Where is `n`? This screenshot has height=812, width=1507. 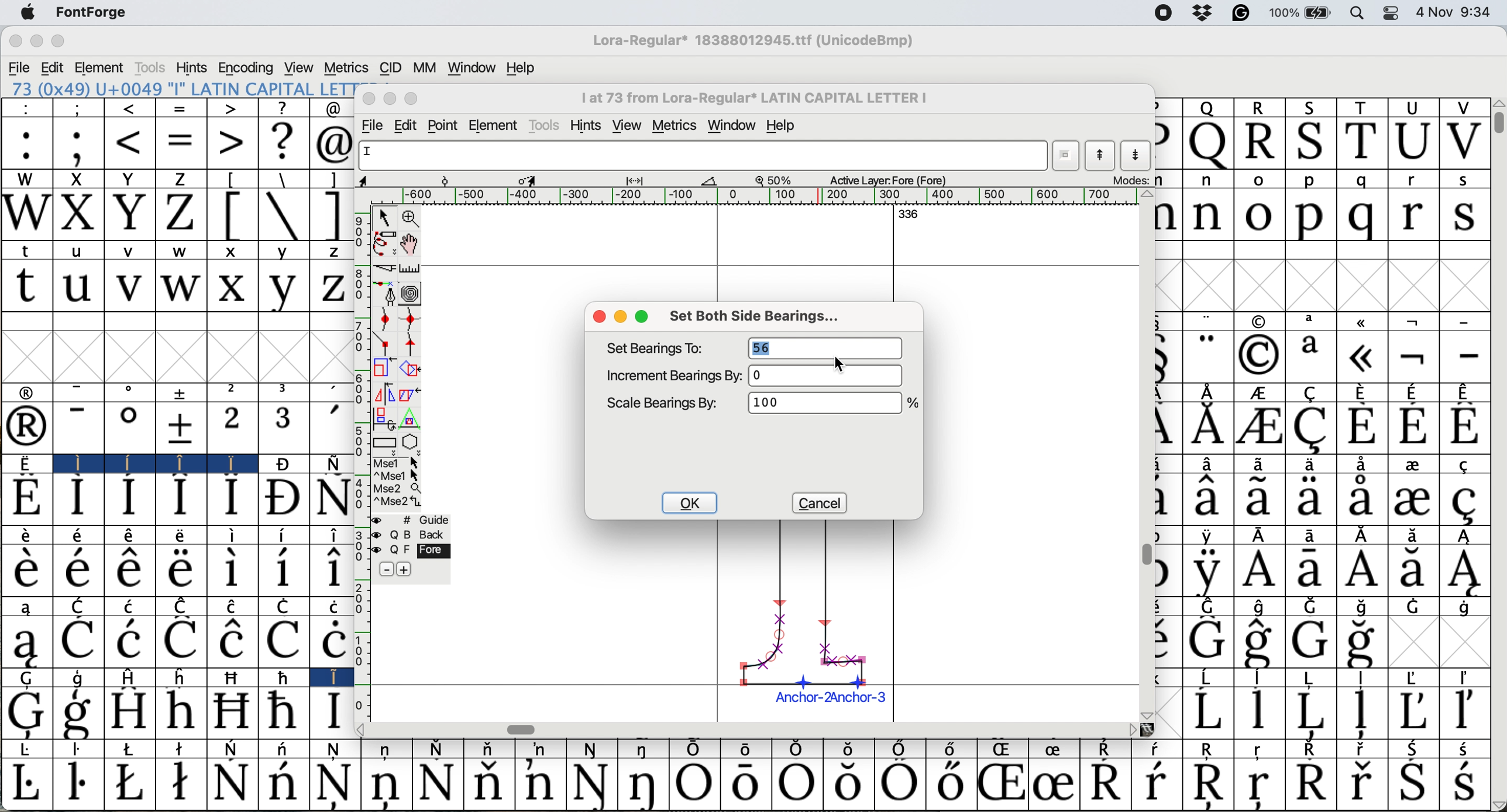
n is located at coordinates (1210, 181).